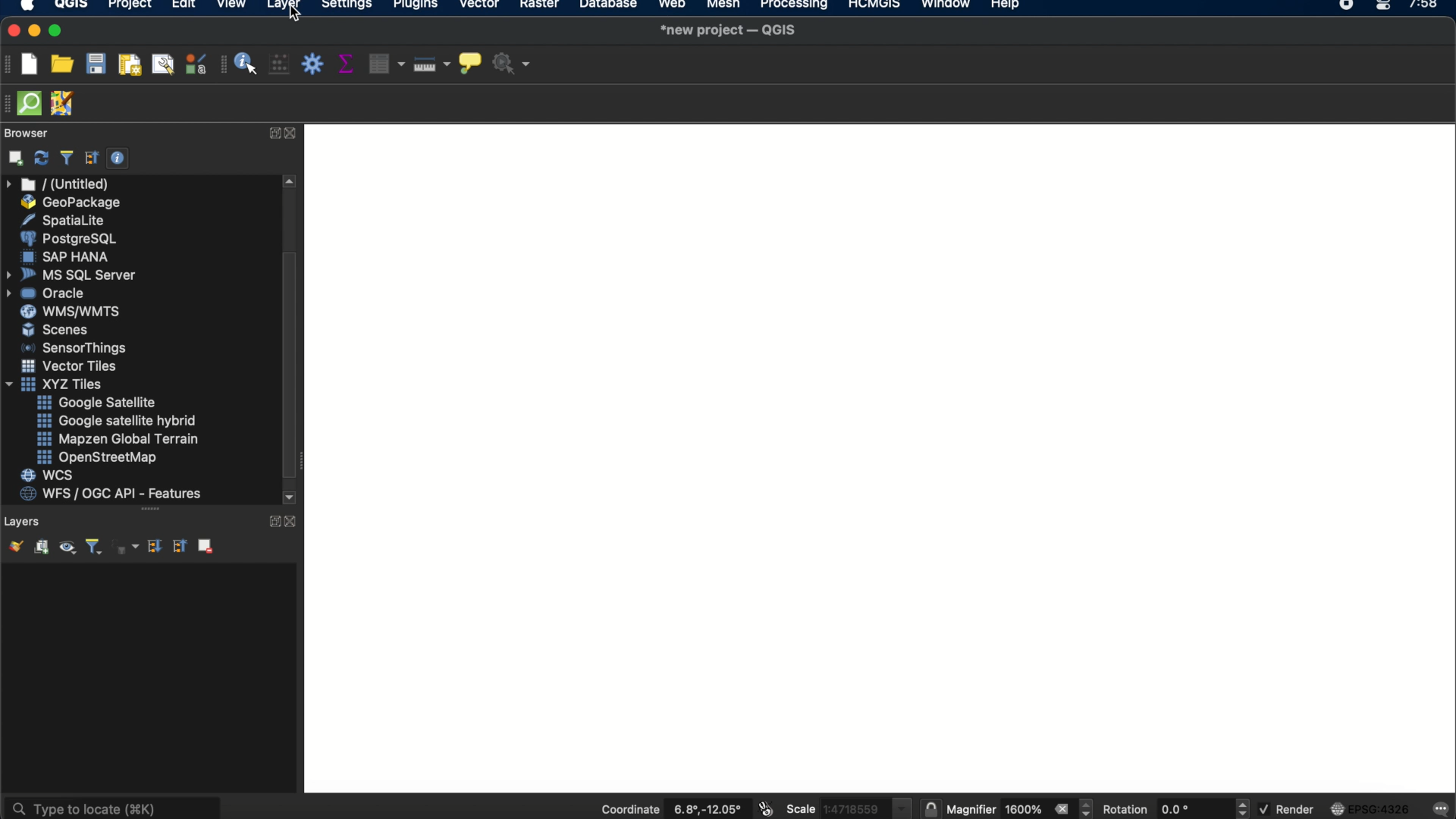 The image size is (1456, 819). Describe the element at coordinates (284, 8) in the screenshot. I see `layer` at that location.